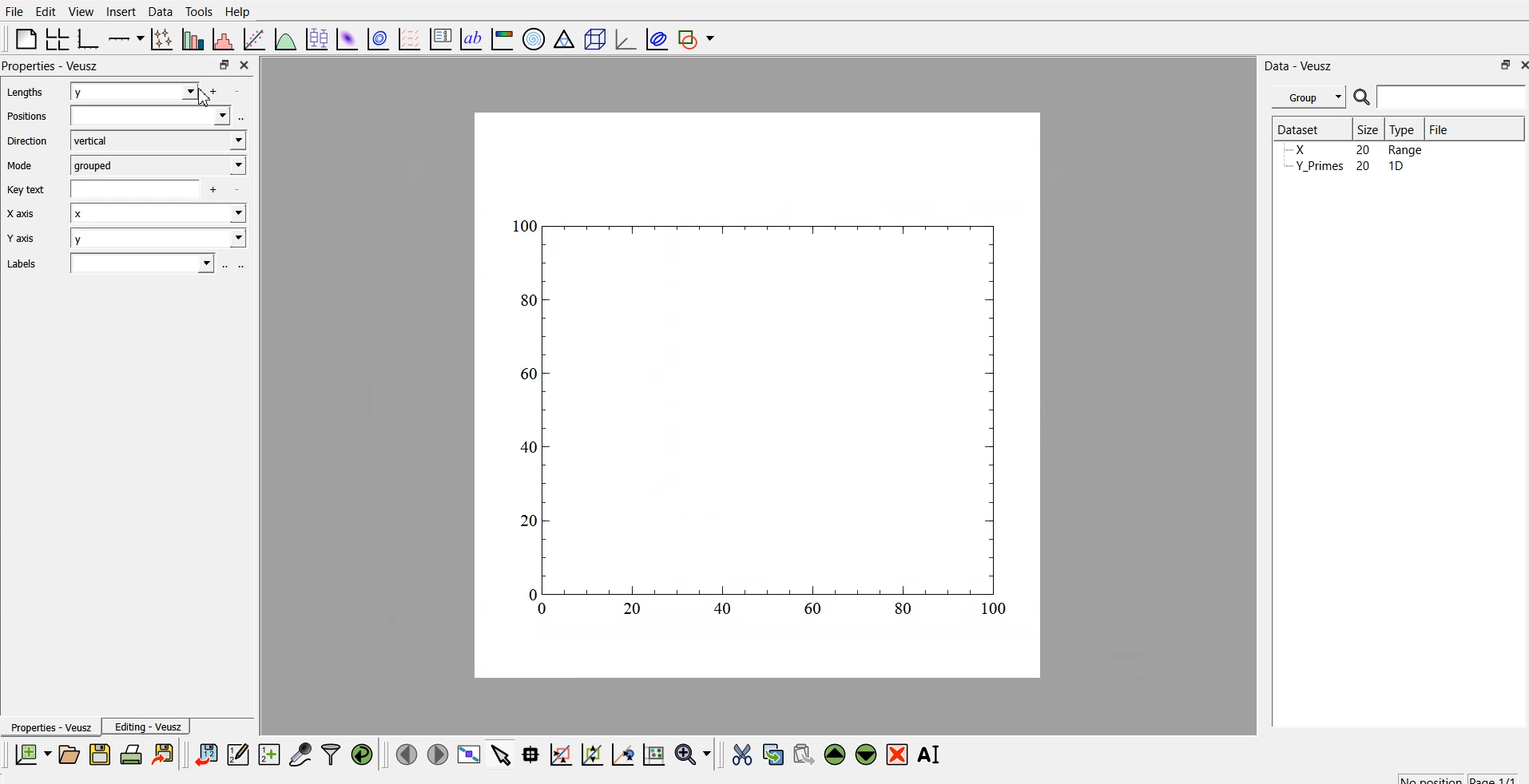 The height and width of the screenshot is (784, 1529). Describe the element at coordinates (624, 39) in the screenshot. I see `3D graph` at that location.